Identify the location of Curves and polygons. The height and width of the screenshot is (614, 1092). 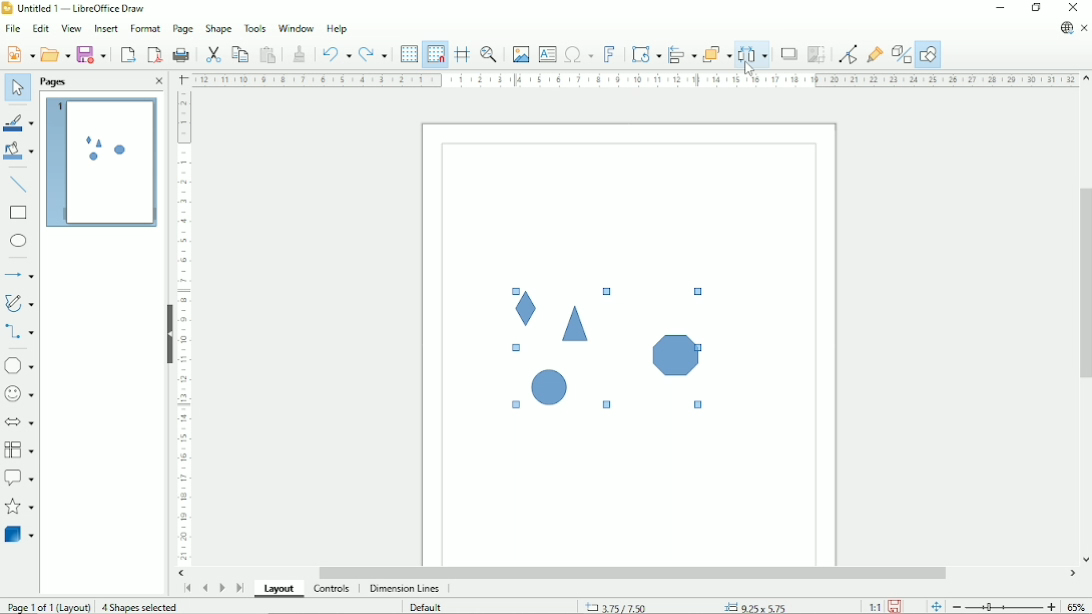
(20, 303).